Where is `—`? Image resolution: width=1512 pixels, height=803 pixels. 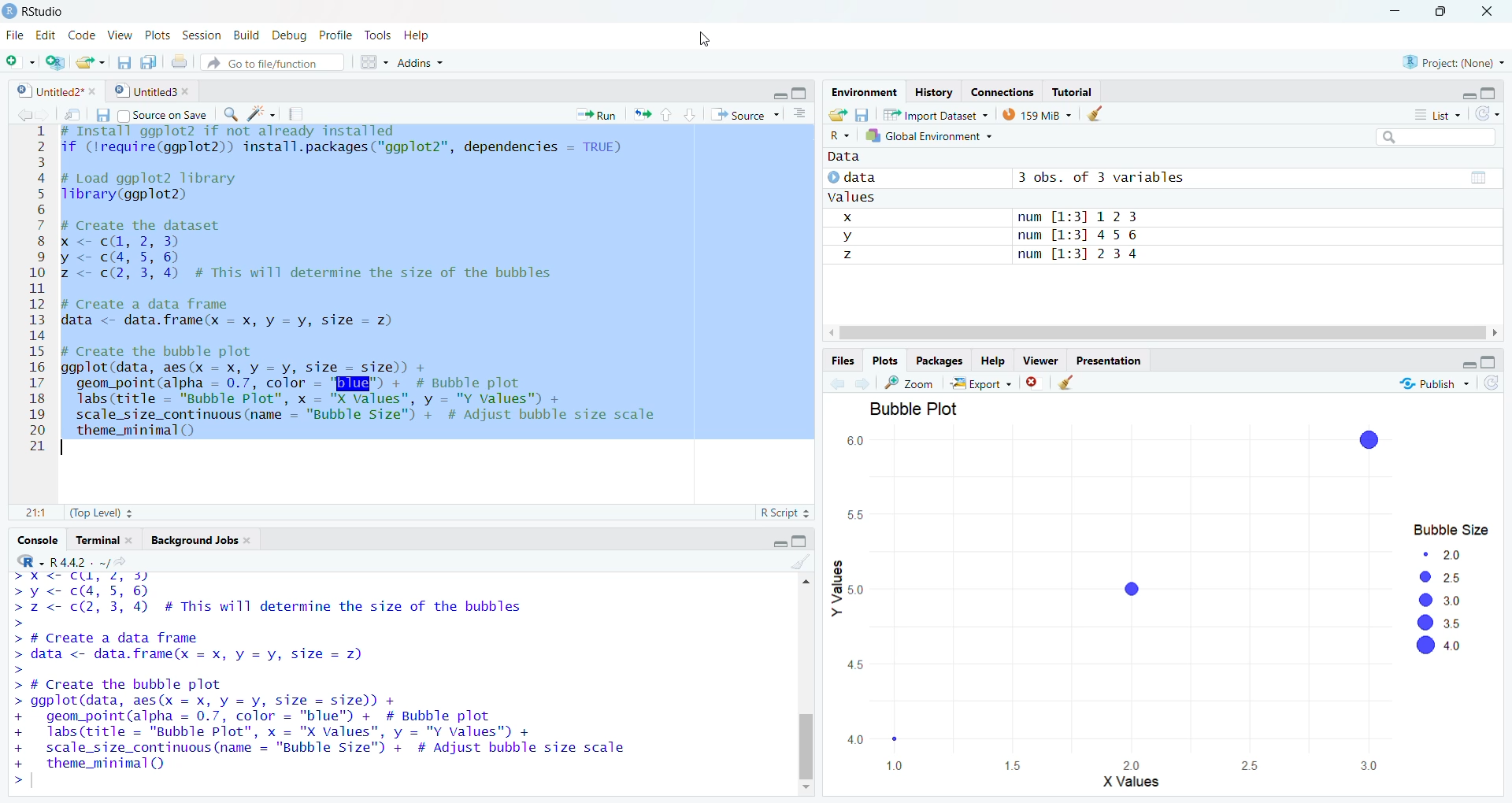
— is located at coordinates (1043, 359).